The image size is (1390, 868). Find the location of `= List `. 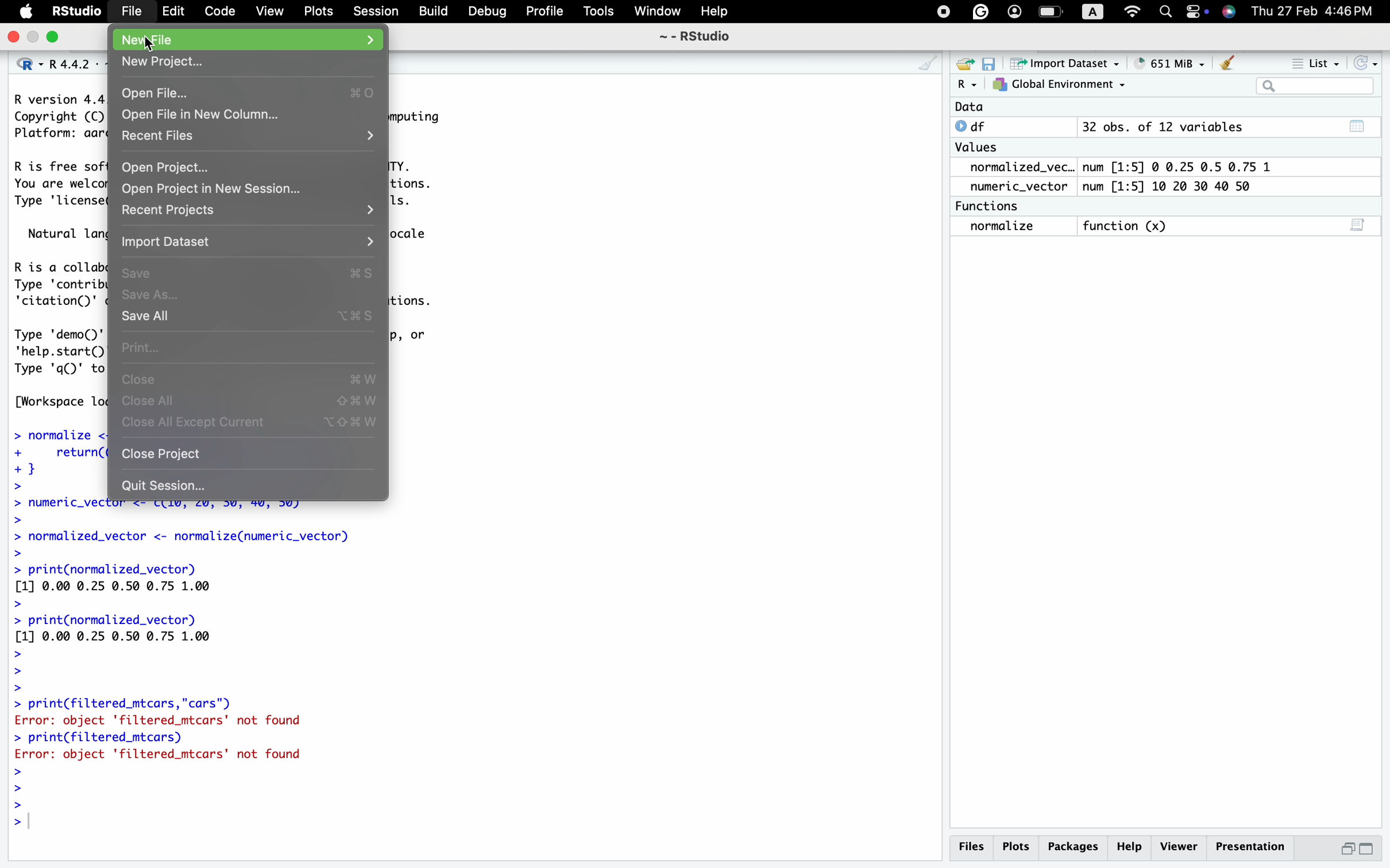

= List  is located at coordinates (1309, 60).